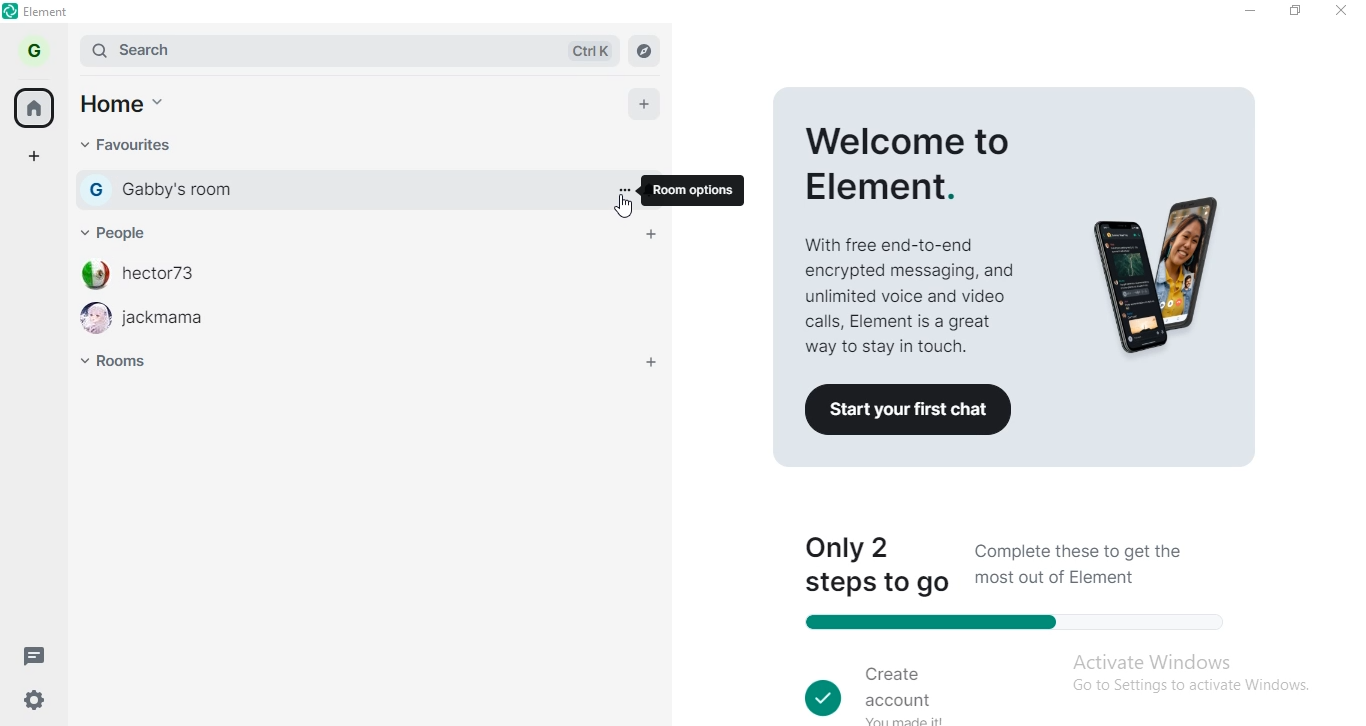 The width and height of the screenshot is (1366, 726). Describe the element at coordinates (1159, 277) in the screenshot. I see `image` at that location.